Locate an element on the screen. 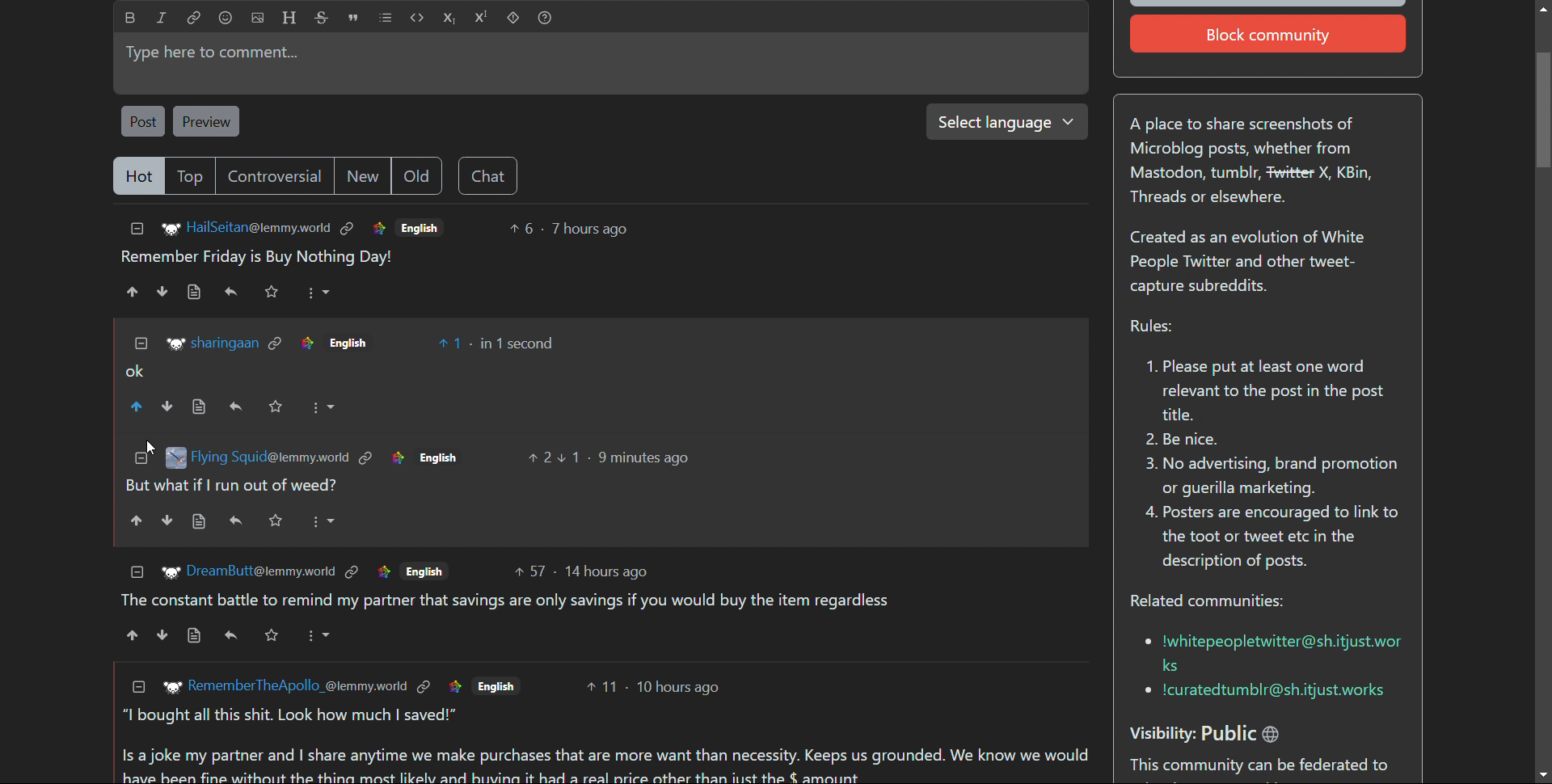  chat is located at coordinates (487, 176).